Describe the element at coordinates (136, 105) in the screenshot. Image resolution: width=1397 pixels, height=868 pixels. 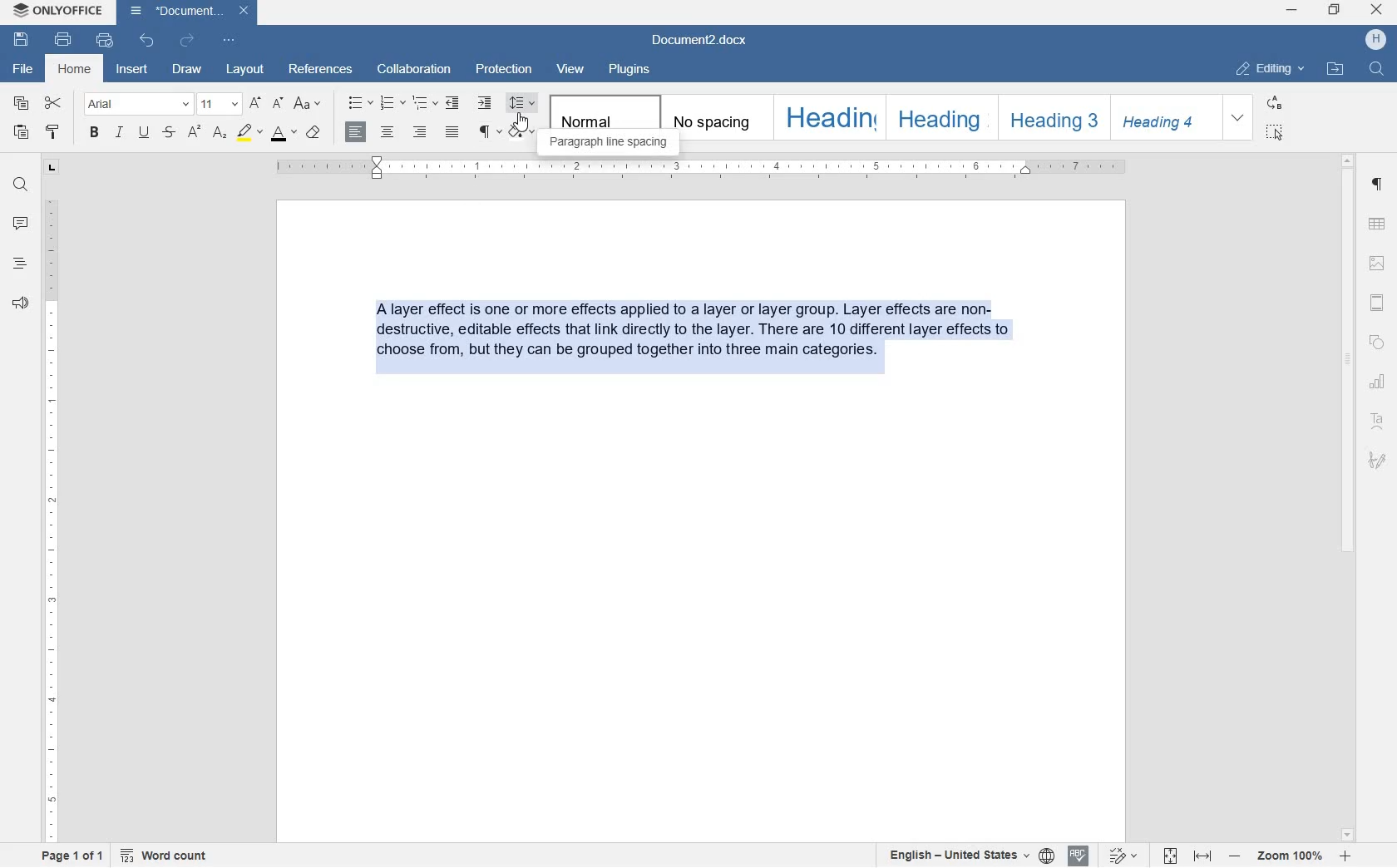
I see `font name` at that location.